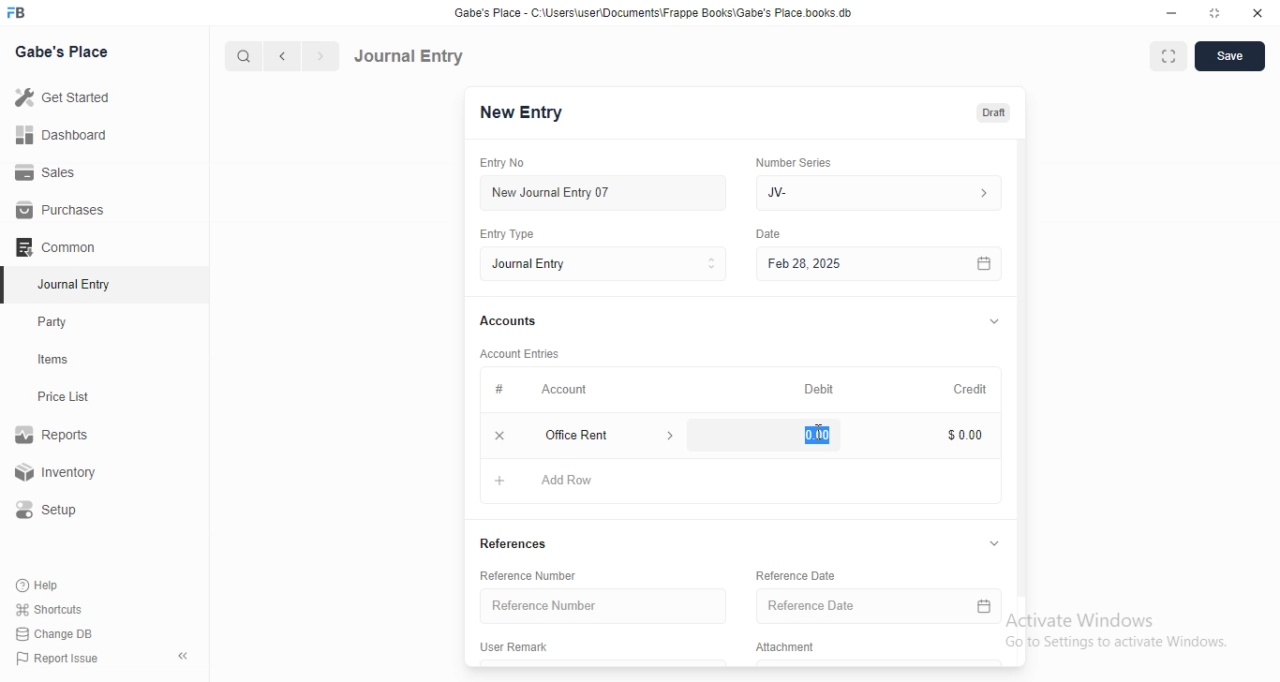  I want to click on Dashboard, so click(59, 135).